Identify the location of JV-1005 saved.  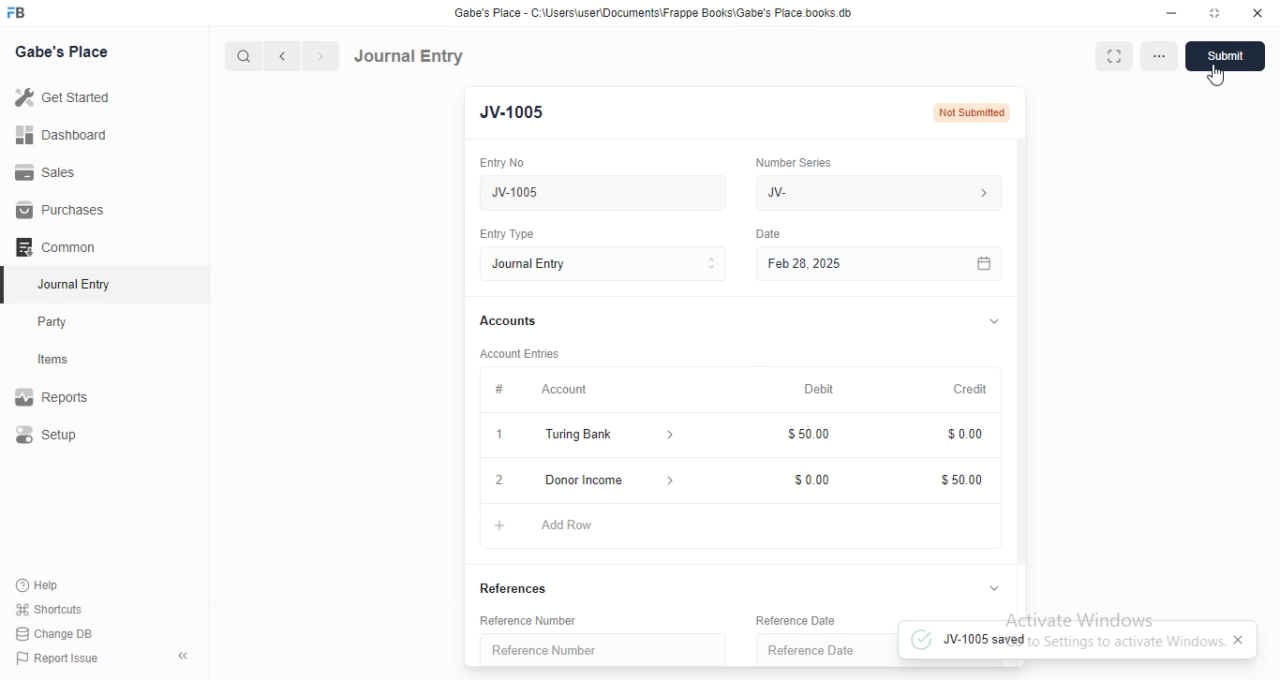
(1077, 639).